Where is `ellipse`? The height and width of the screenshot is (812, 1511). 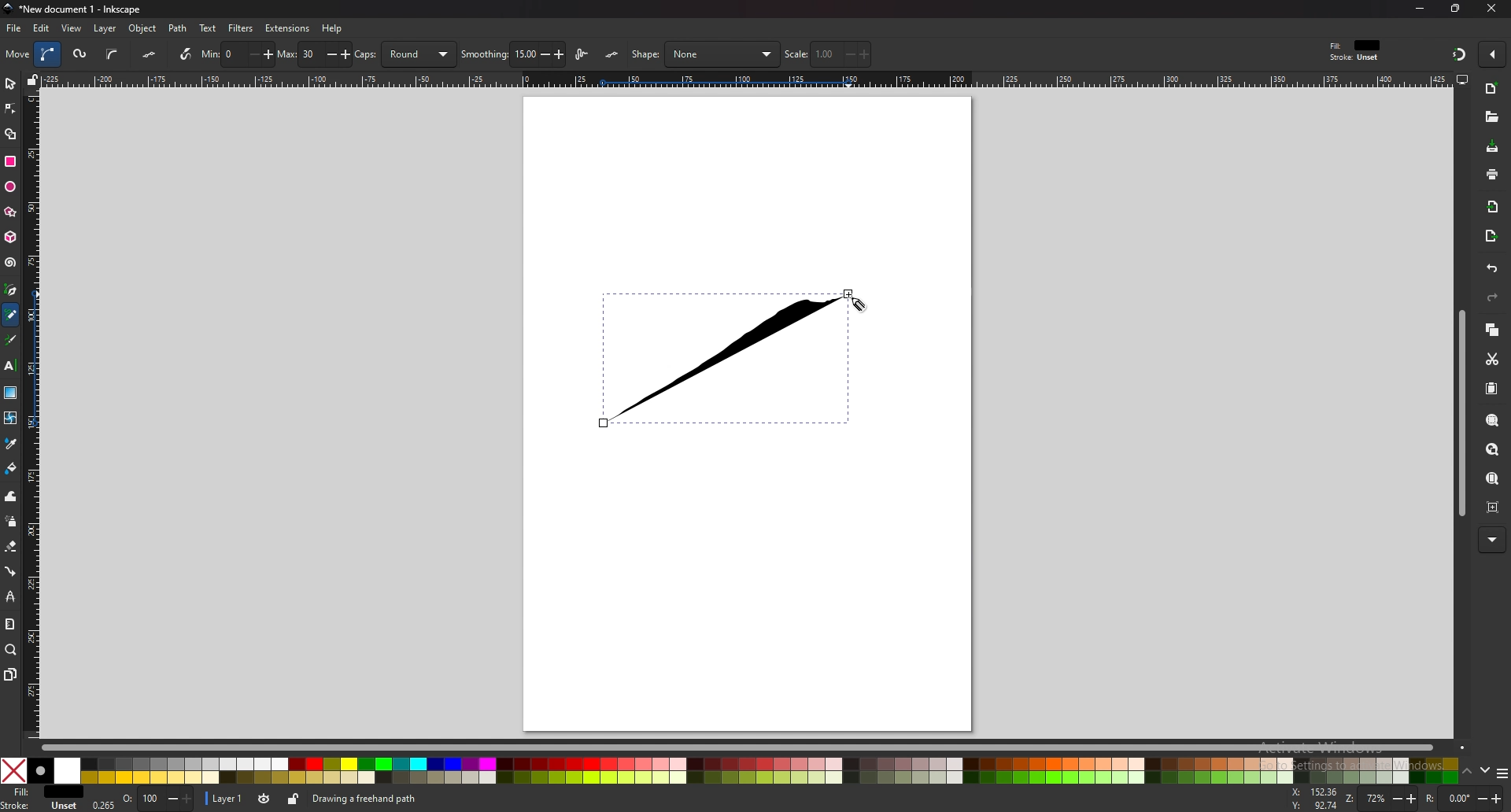 ellipse is located at coordinates (11, 186).